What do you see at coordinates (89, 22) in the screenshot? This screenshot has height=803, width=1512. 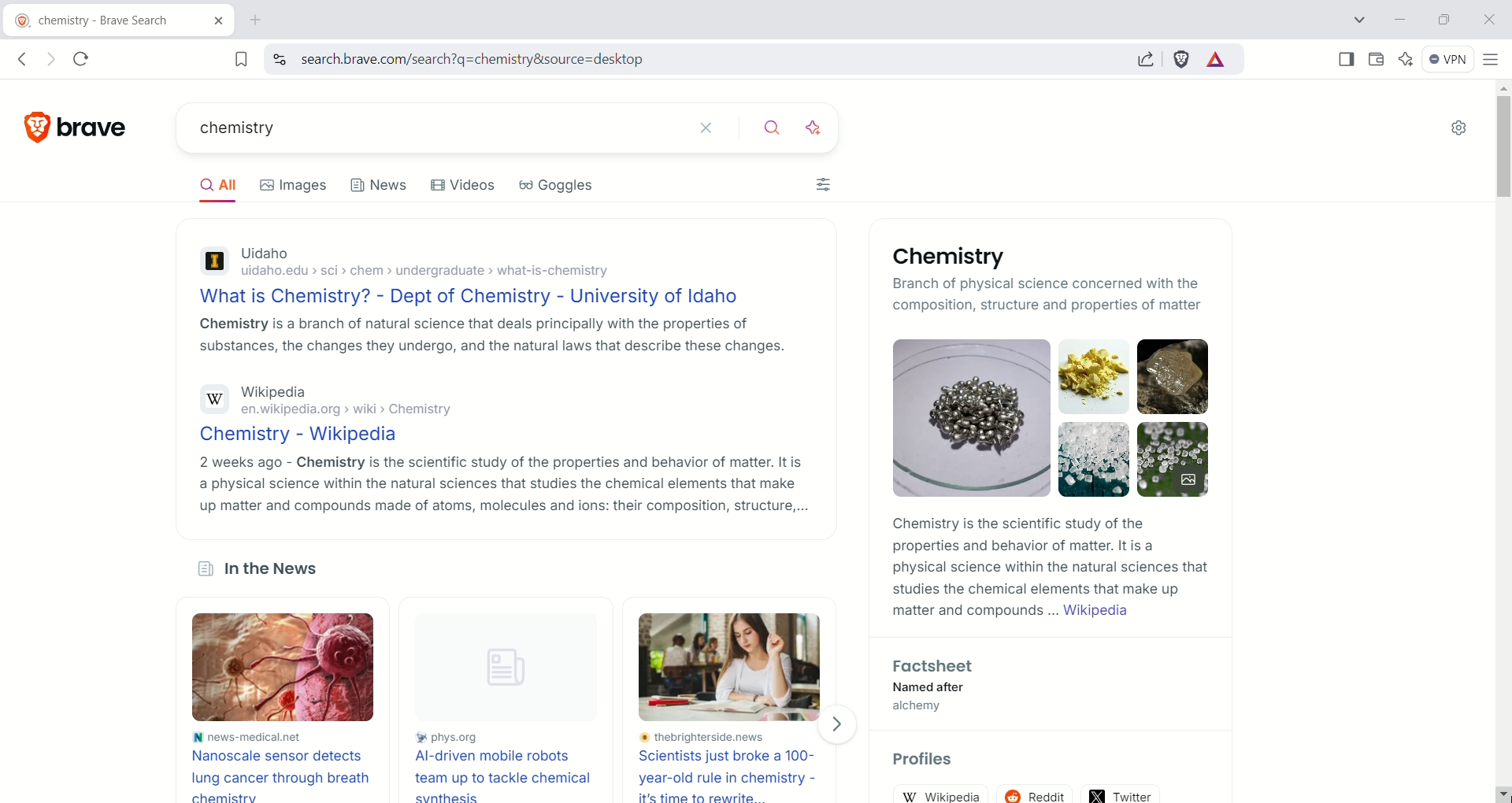 I see `chemistry - brave search` at bounding box center [89, 22].